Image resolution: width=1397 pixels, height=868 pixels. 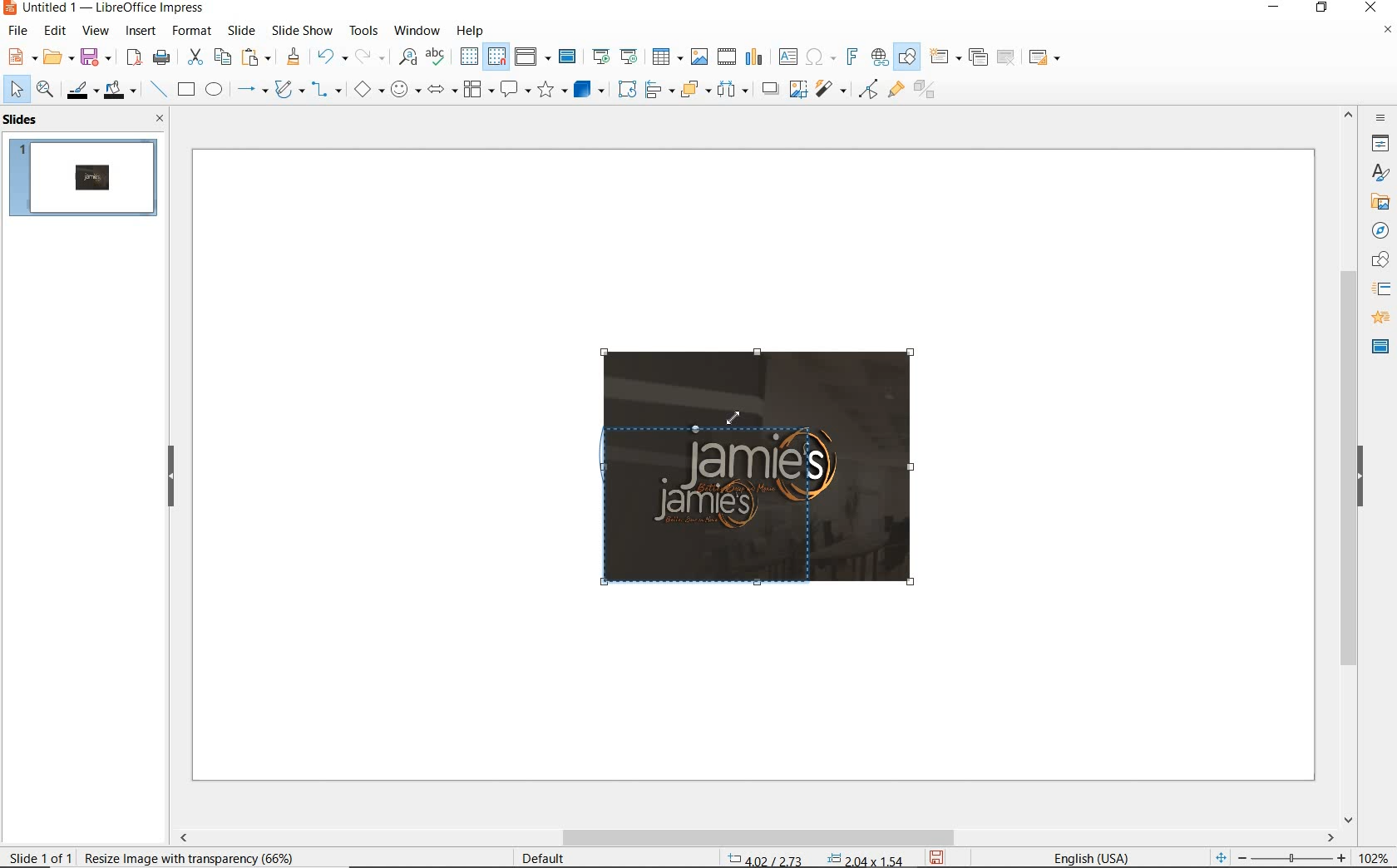 What do you see at coordinates (407, 57) in the screenshot?
I see `find and replace` at bounding box center [407, 57].